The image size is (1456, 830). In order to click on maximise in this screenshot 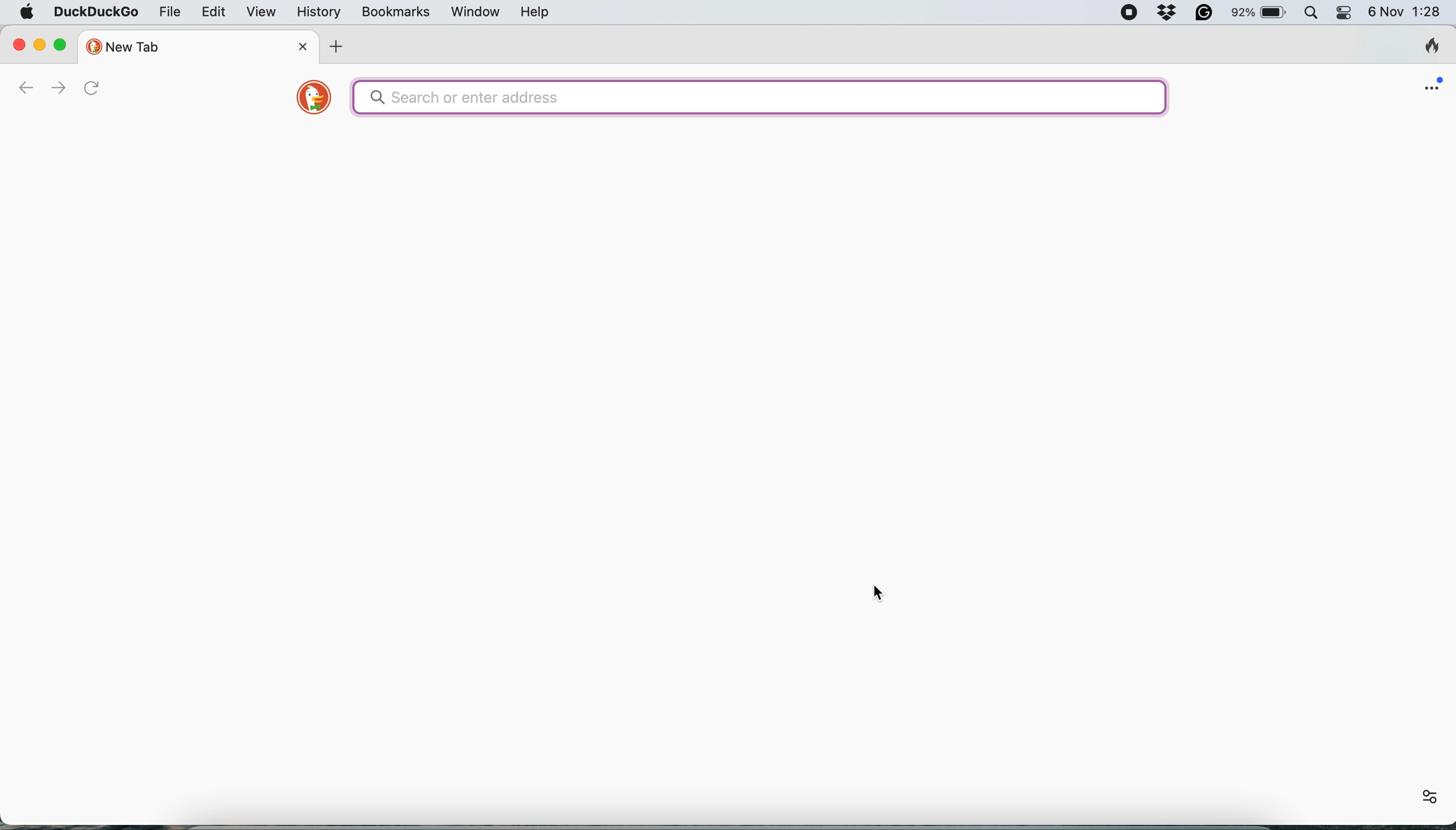, I will do `click(62, 43)`.